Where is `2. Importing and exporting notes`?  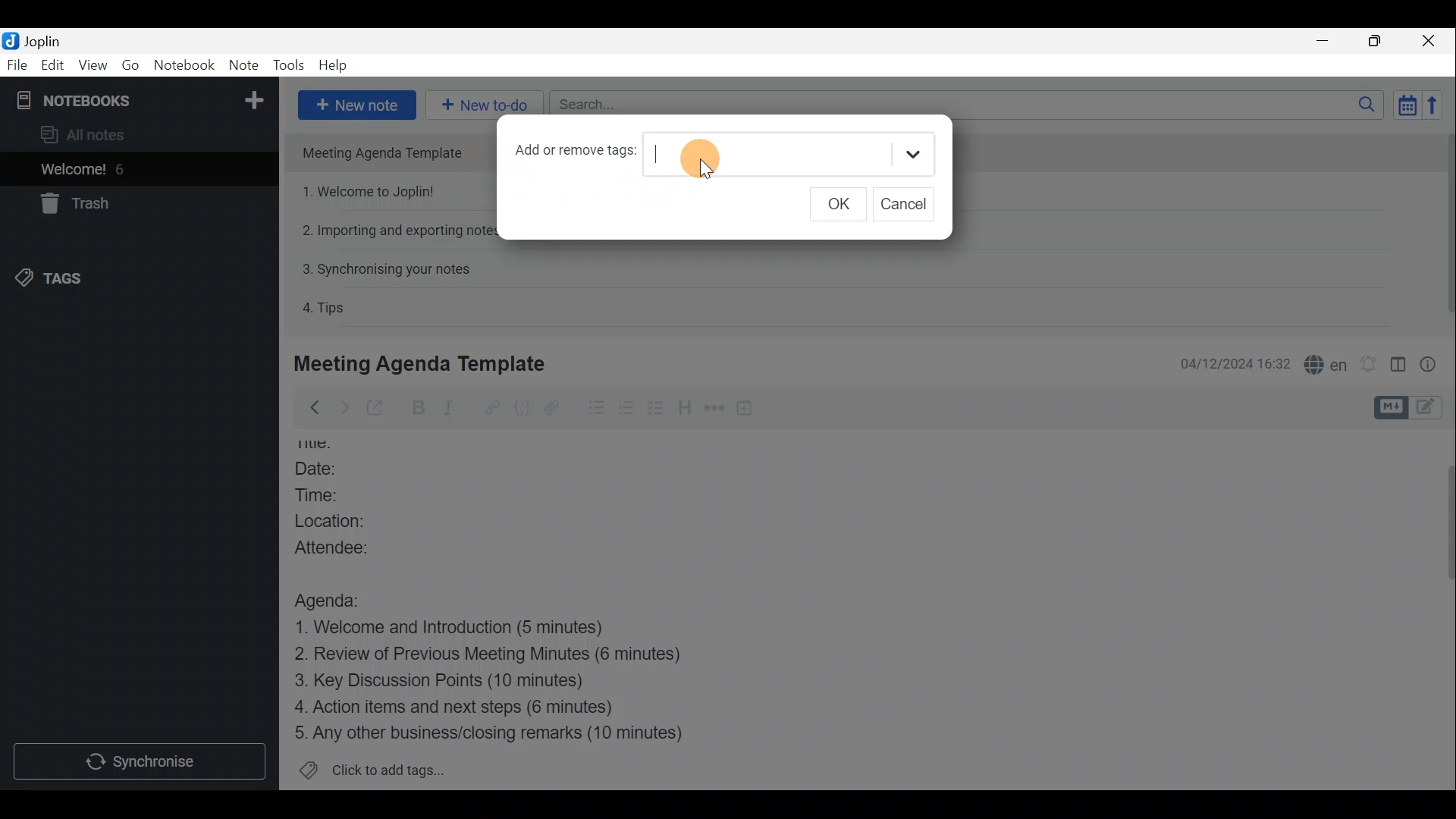
2. Importing and exporting notes is located at coordinates (398, 231).